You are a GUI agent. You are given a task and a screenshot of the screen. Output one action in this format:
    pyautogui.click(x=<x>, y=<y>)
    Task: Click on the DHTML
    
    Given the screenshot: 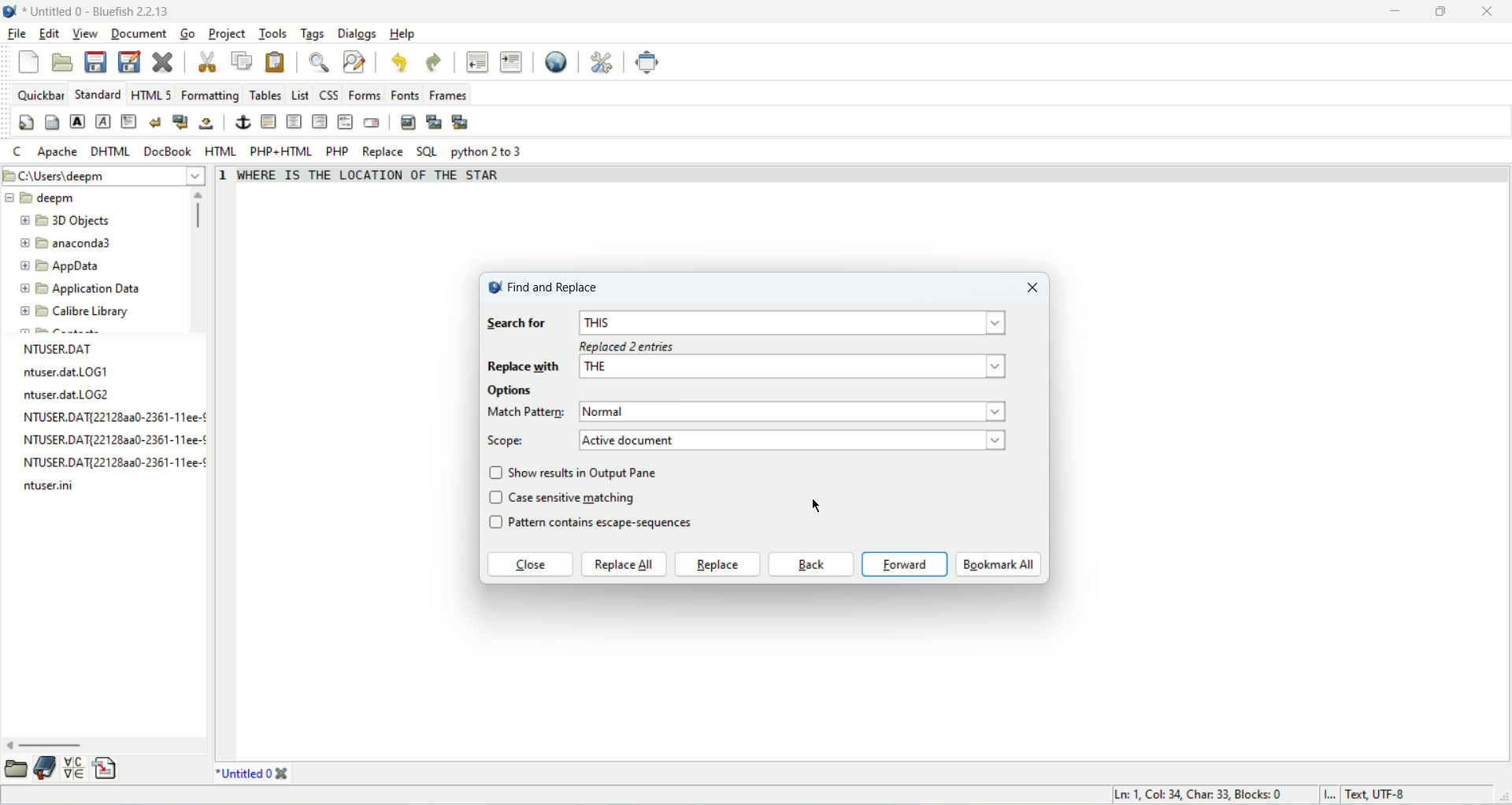 What is the action you would take?
    pyautogui.click(x=108, y=151)
    